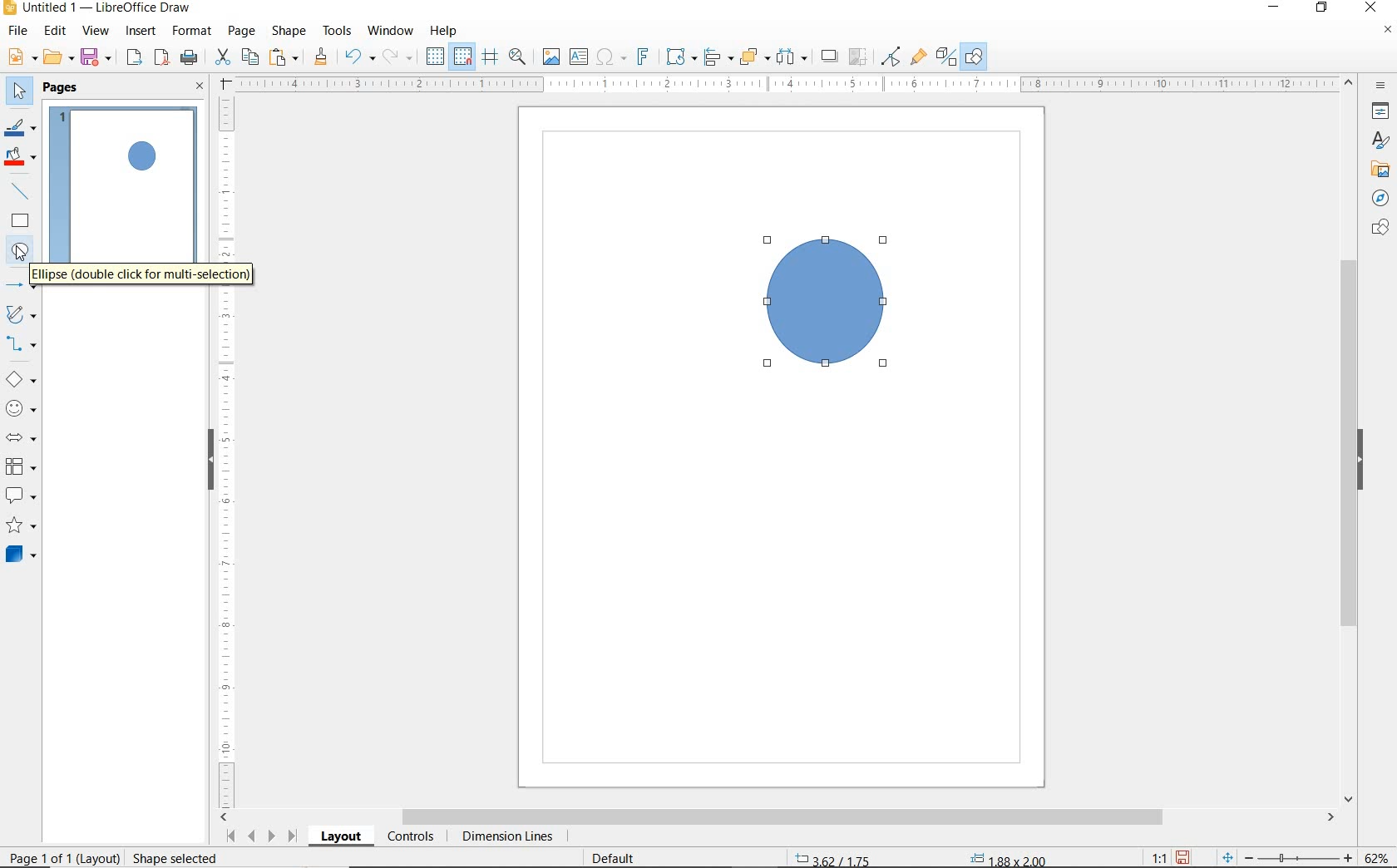 The height and width of the screenshot is (868, 1397). Describe the element at coordinates (490, 57) in the screenshot. I see `HELPLINES WHILE MOVING` at that location.